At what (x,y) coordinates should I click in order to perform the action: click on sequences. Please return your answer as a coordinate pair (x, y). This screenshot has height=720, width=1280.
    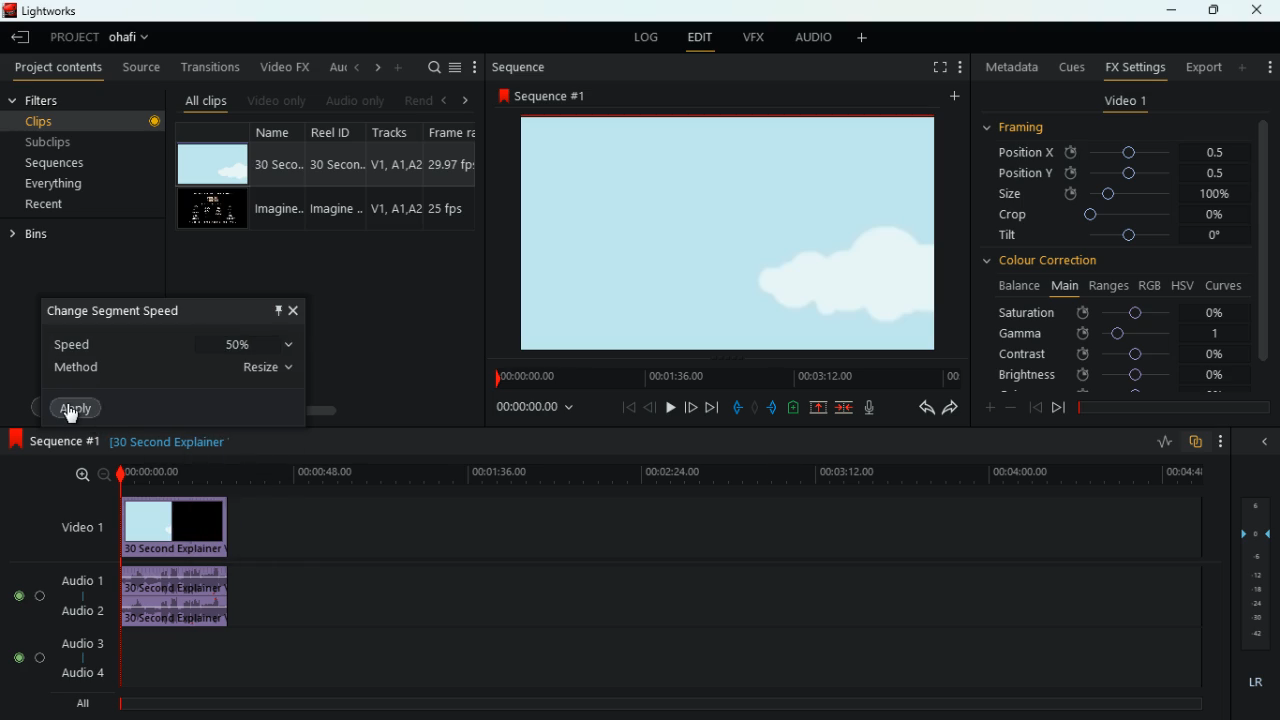
    Looking at the image, I should click on (66, 165).